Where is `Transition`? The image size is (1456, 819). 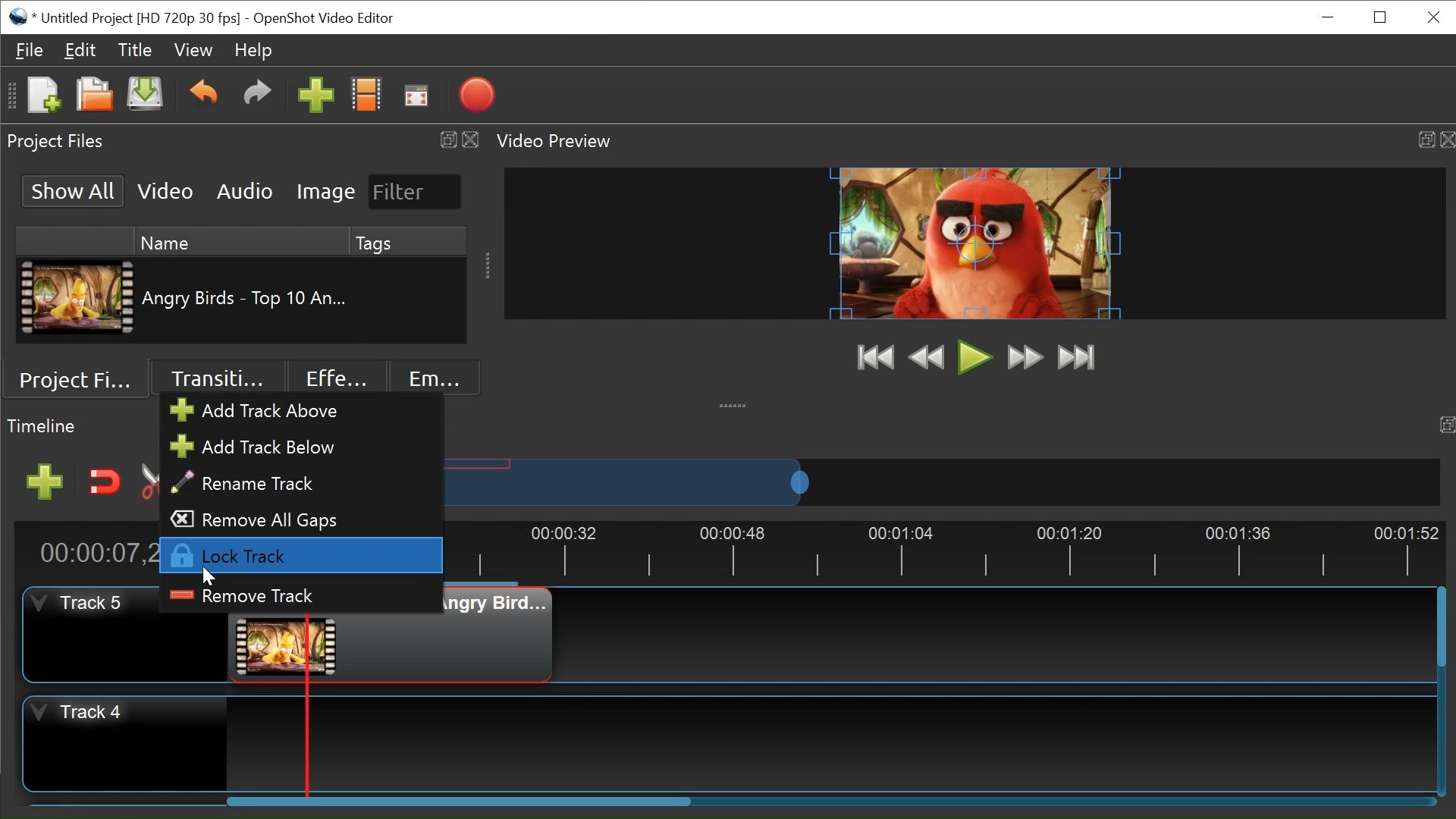 Transition is located at coordinates (215, 380).